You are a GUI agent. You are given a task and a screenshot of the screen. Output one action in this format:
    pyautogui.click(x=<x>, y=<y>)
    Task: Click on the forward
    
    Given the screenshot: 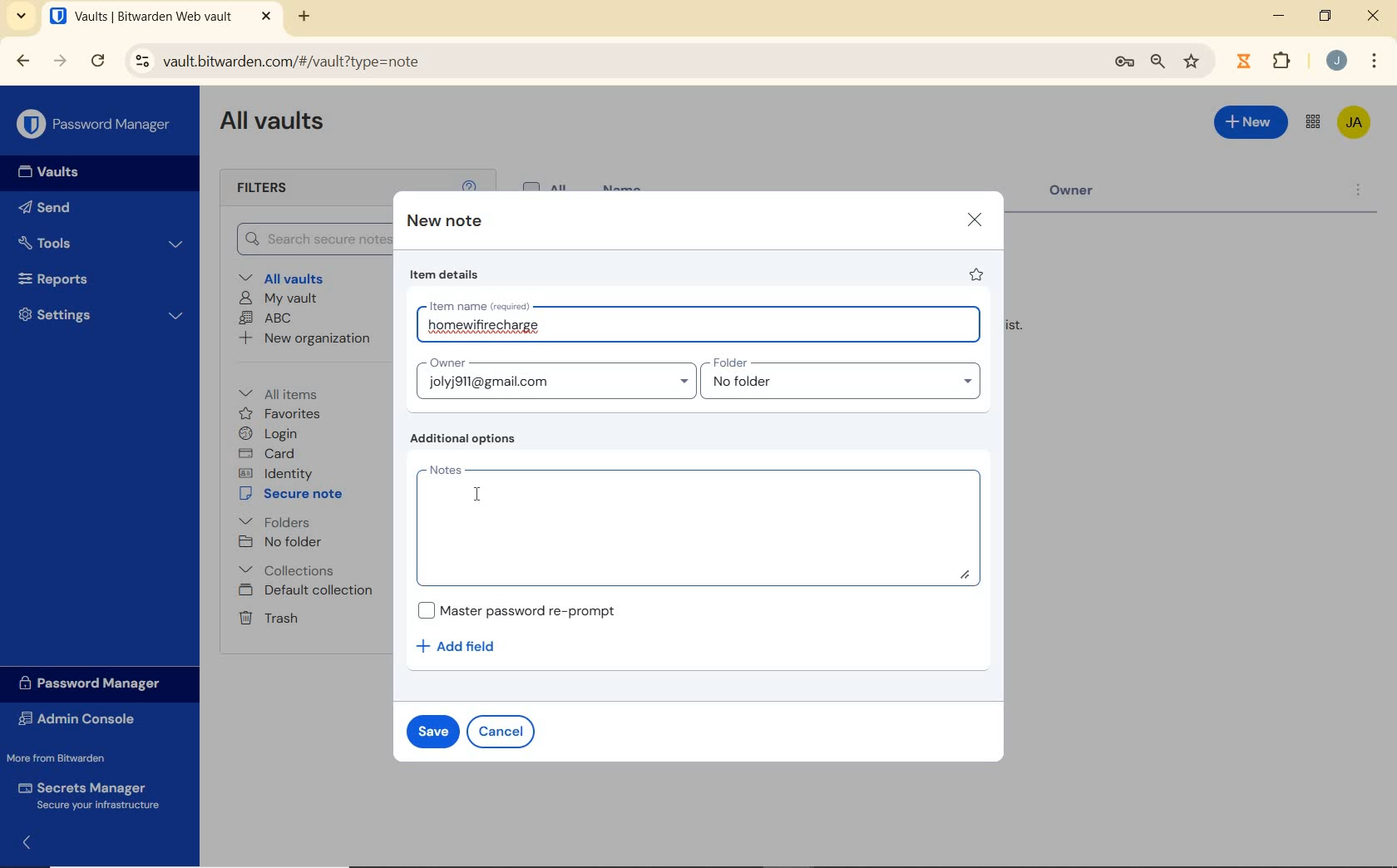 What is the action you would take?
    pyautogui.click(x=60, y=61)
    